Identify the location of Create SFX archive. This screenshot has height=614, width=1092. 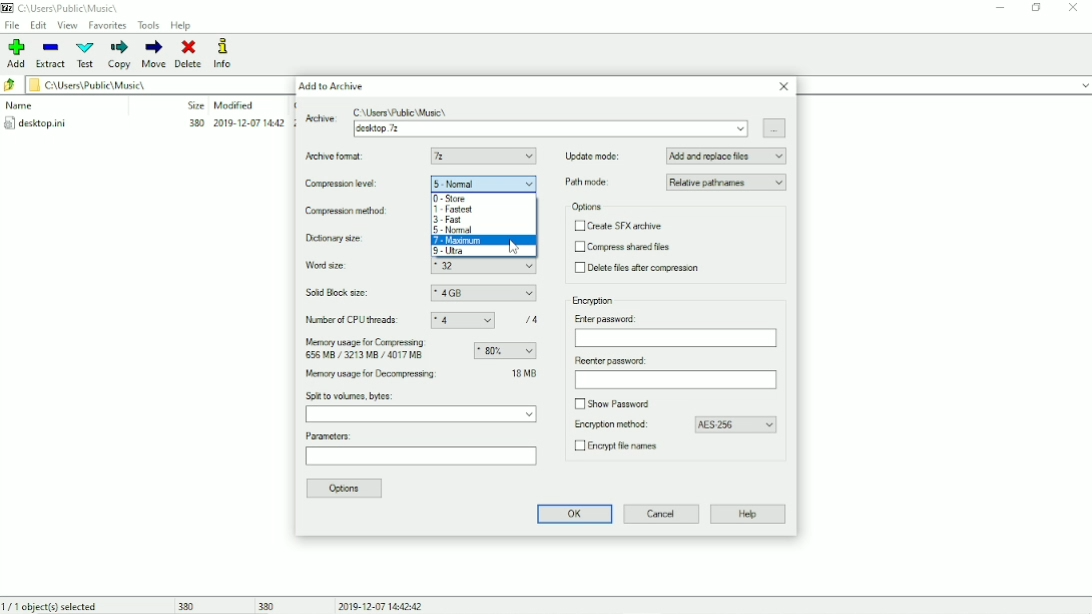
(620, 226).